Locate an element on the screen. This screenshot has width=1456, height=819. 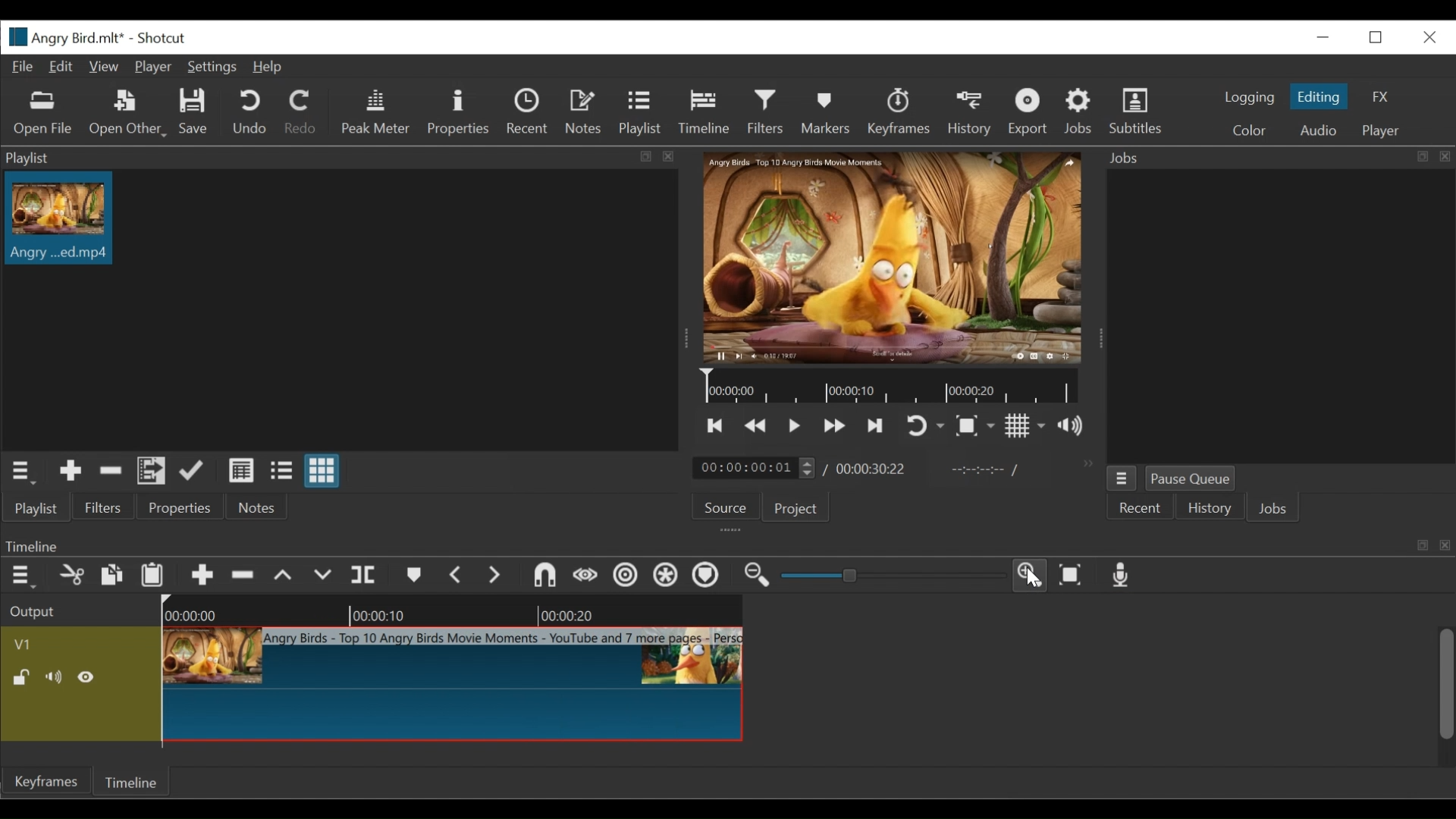
Skip to the next point is located at coordinates (877, 427).